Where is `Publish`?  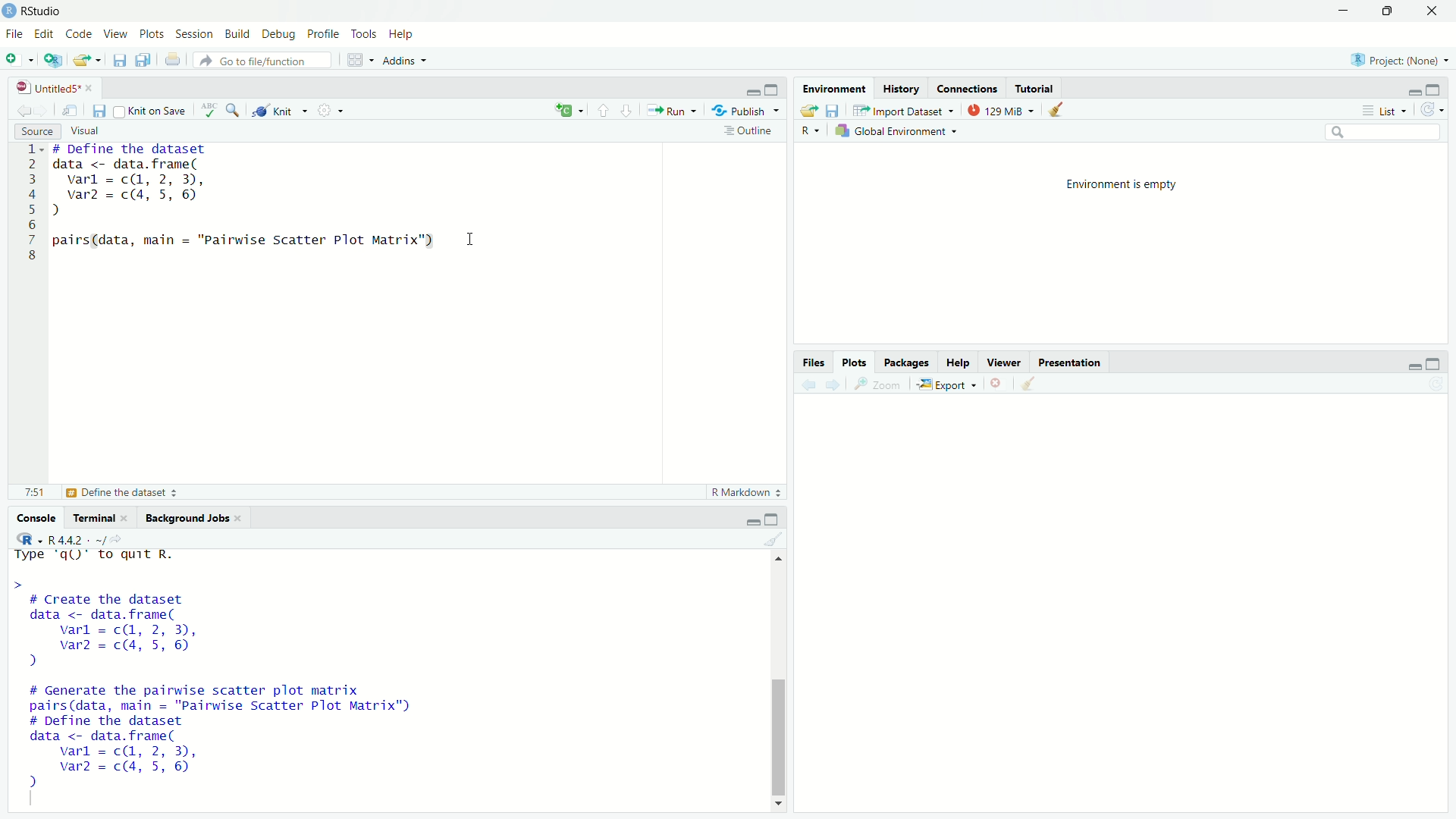
Publish is located at coordinates (745, 109).